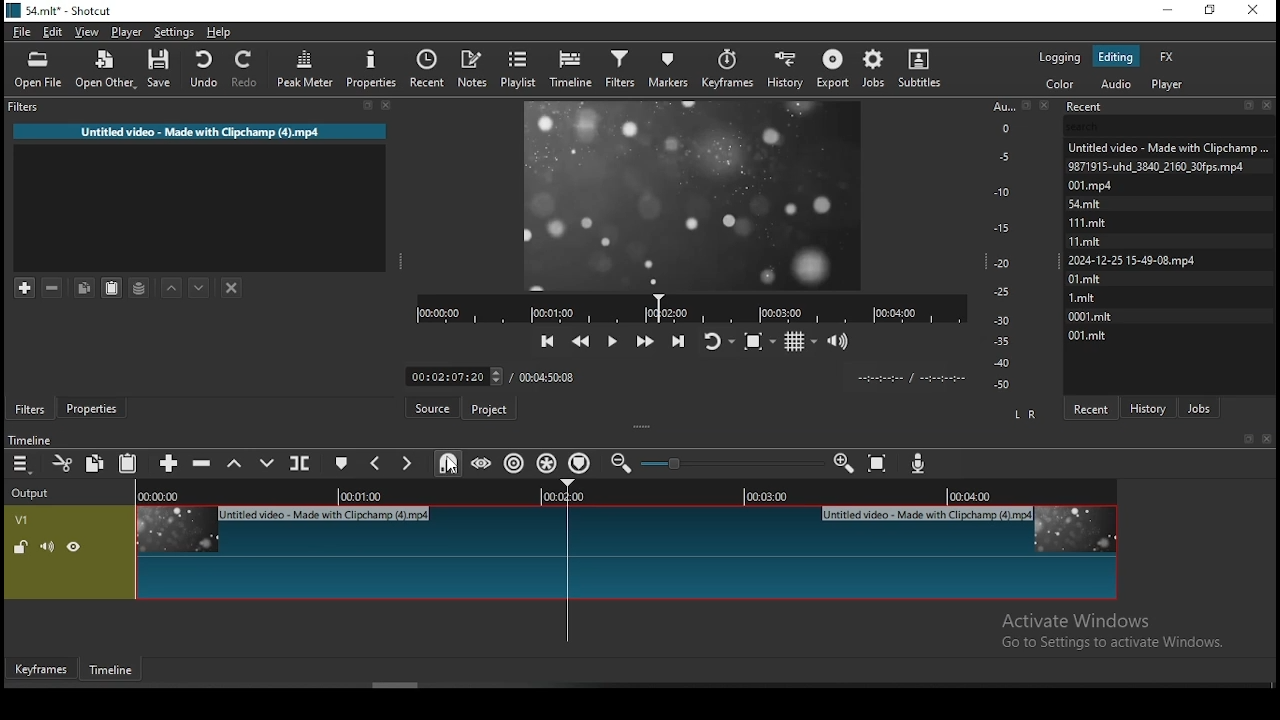  What do you see at coordinates (22, 463) in the screenshot?
I see `timeline menu` at bounding box center [22, 463].